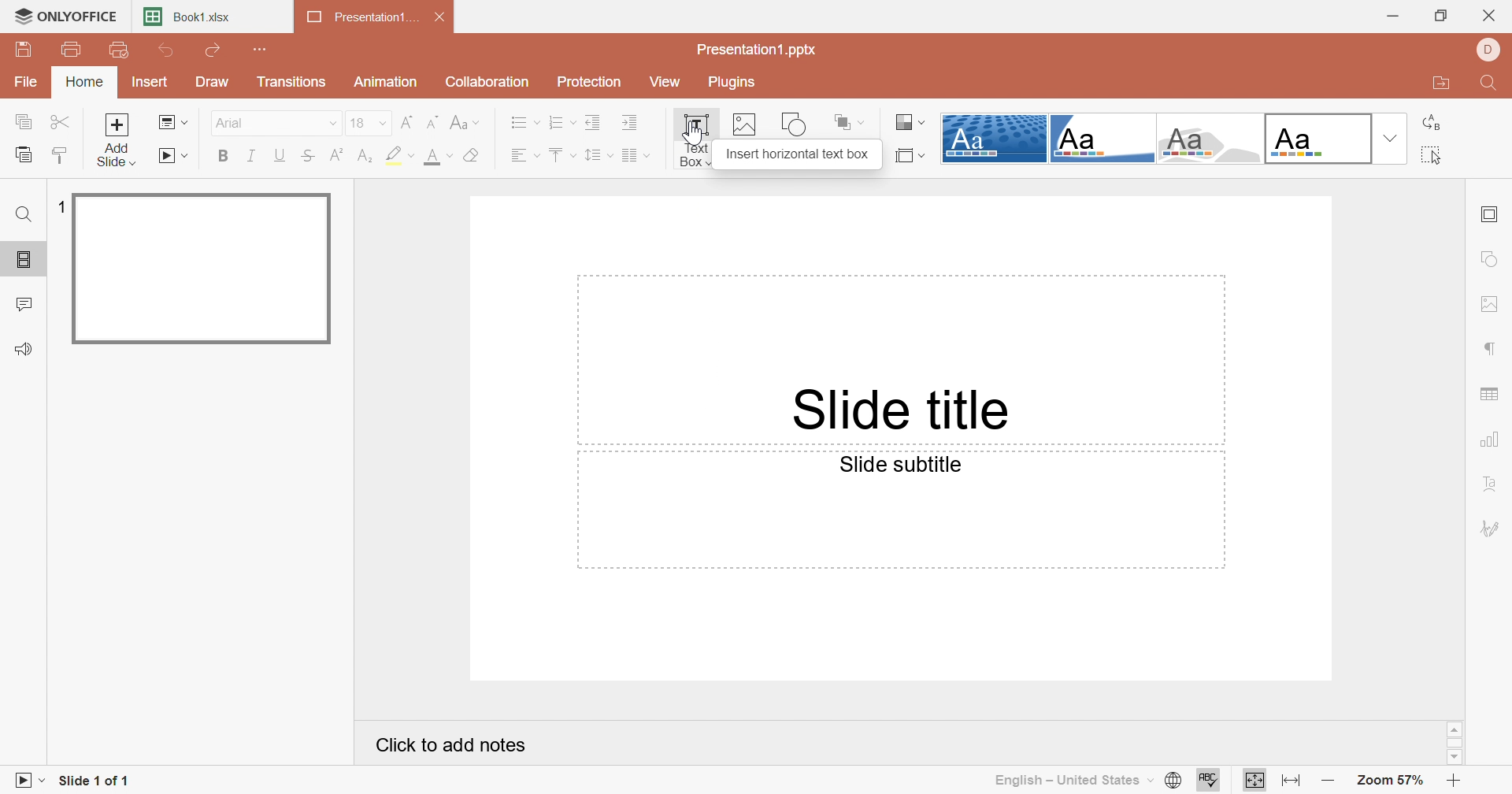  Describe the element at coordinates (360, 16) in the screenshot. I see `Presentation1...` at that location.